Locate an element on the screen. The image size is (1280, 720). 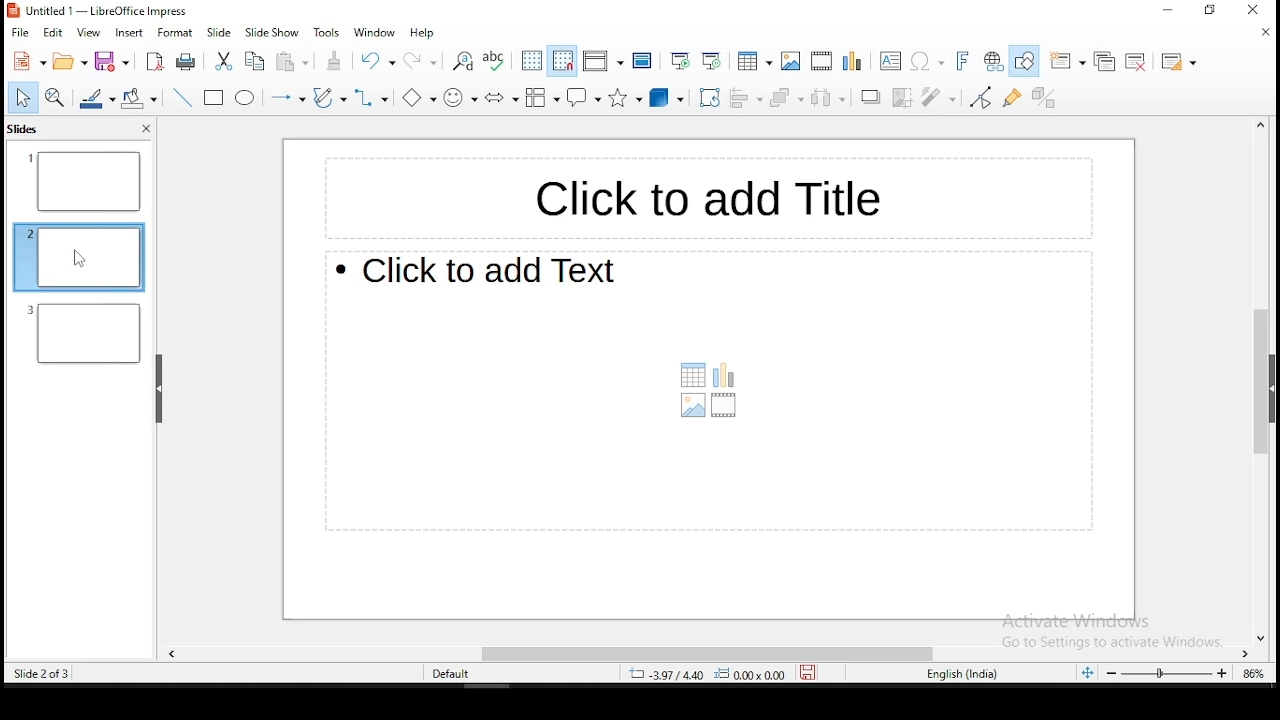
text box is located at coordinates (709, 392).